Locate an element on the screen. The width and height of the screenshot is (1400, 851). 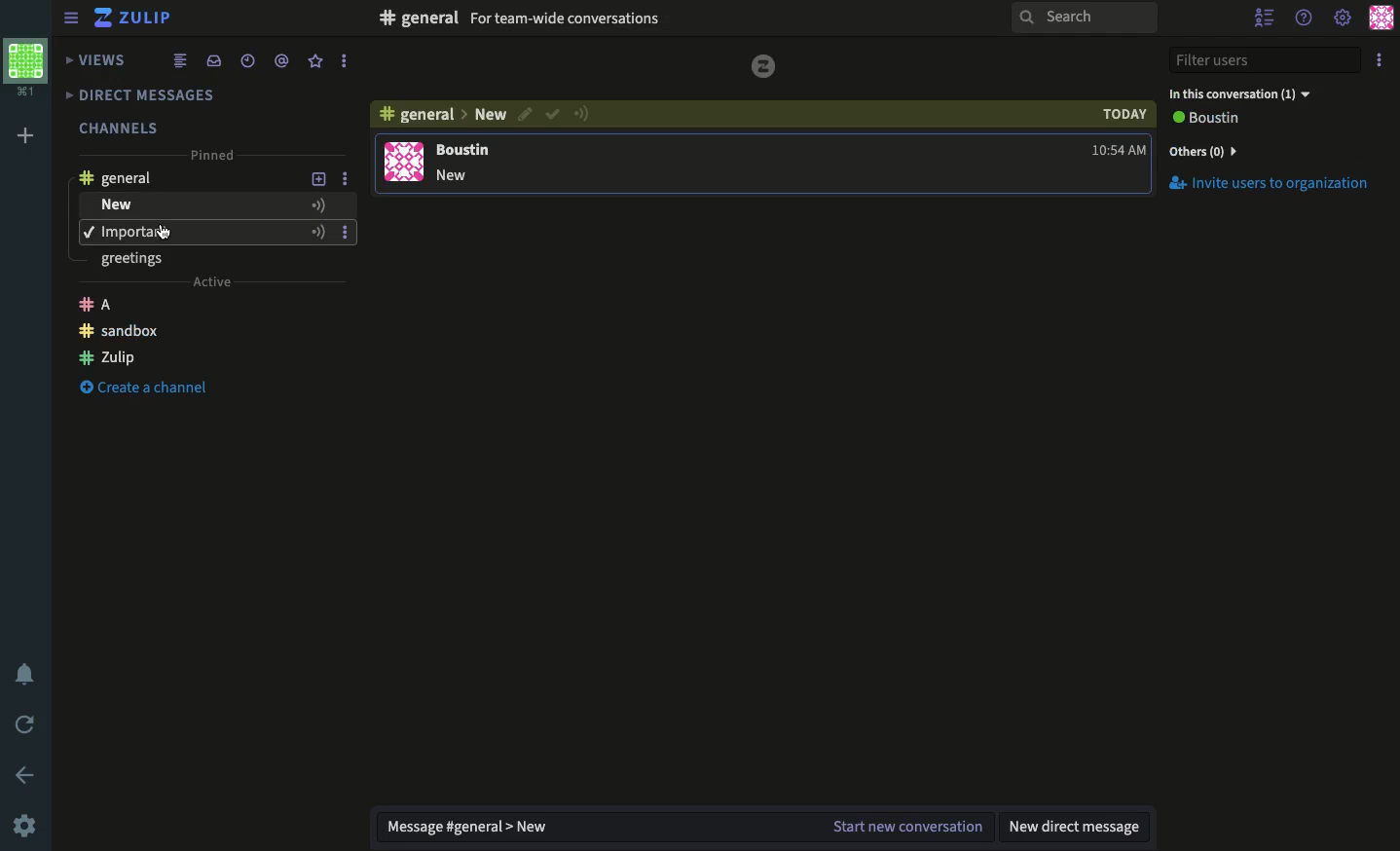
Pinned is located at coordinates (216, 157).